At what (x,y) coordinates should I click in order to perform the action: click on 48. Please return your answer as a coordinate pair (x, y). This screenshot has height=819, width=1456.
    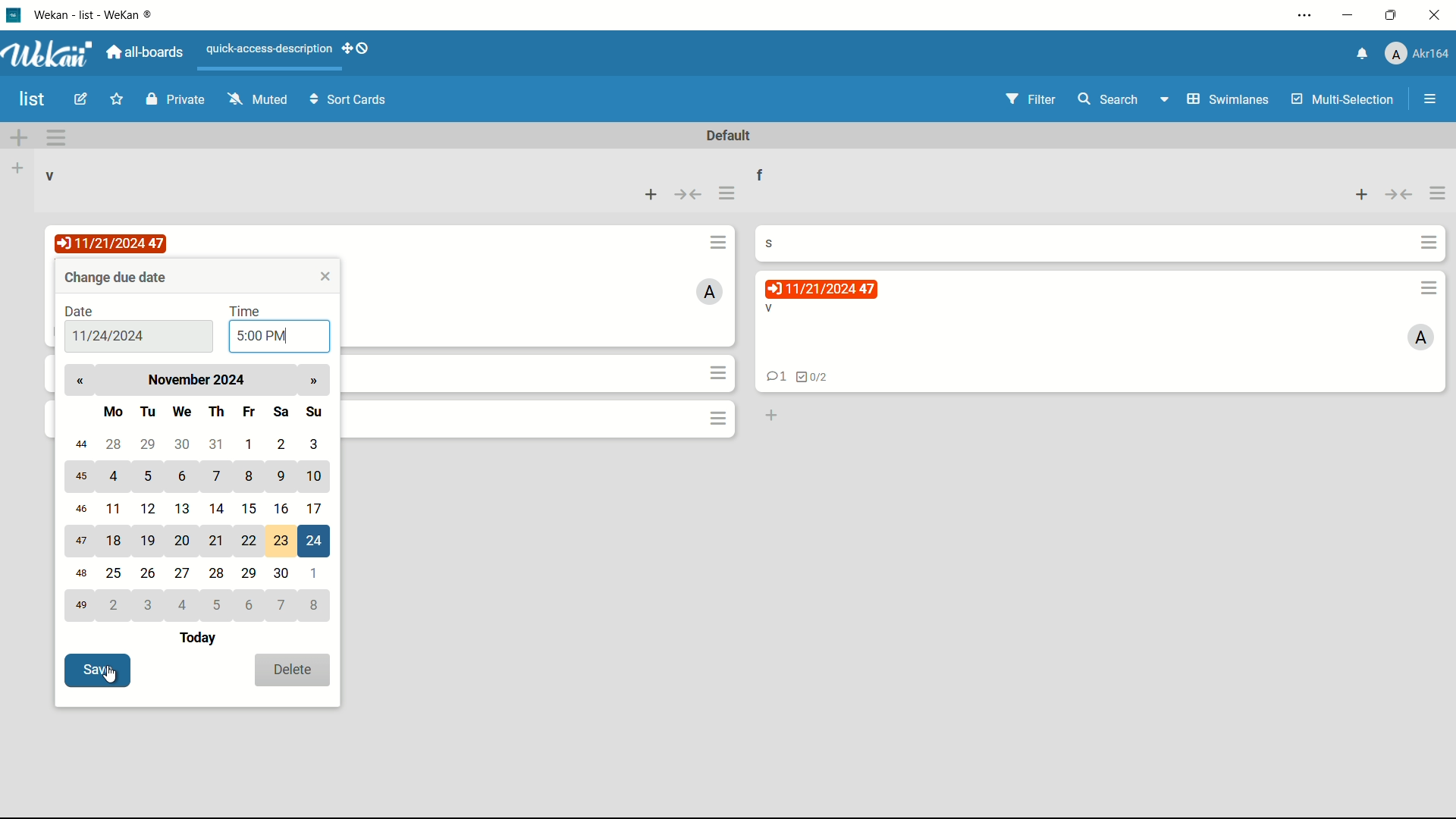
    Looking at the image, I should click on (82, 576).